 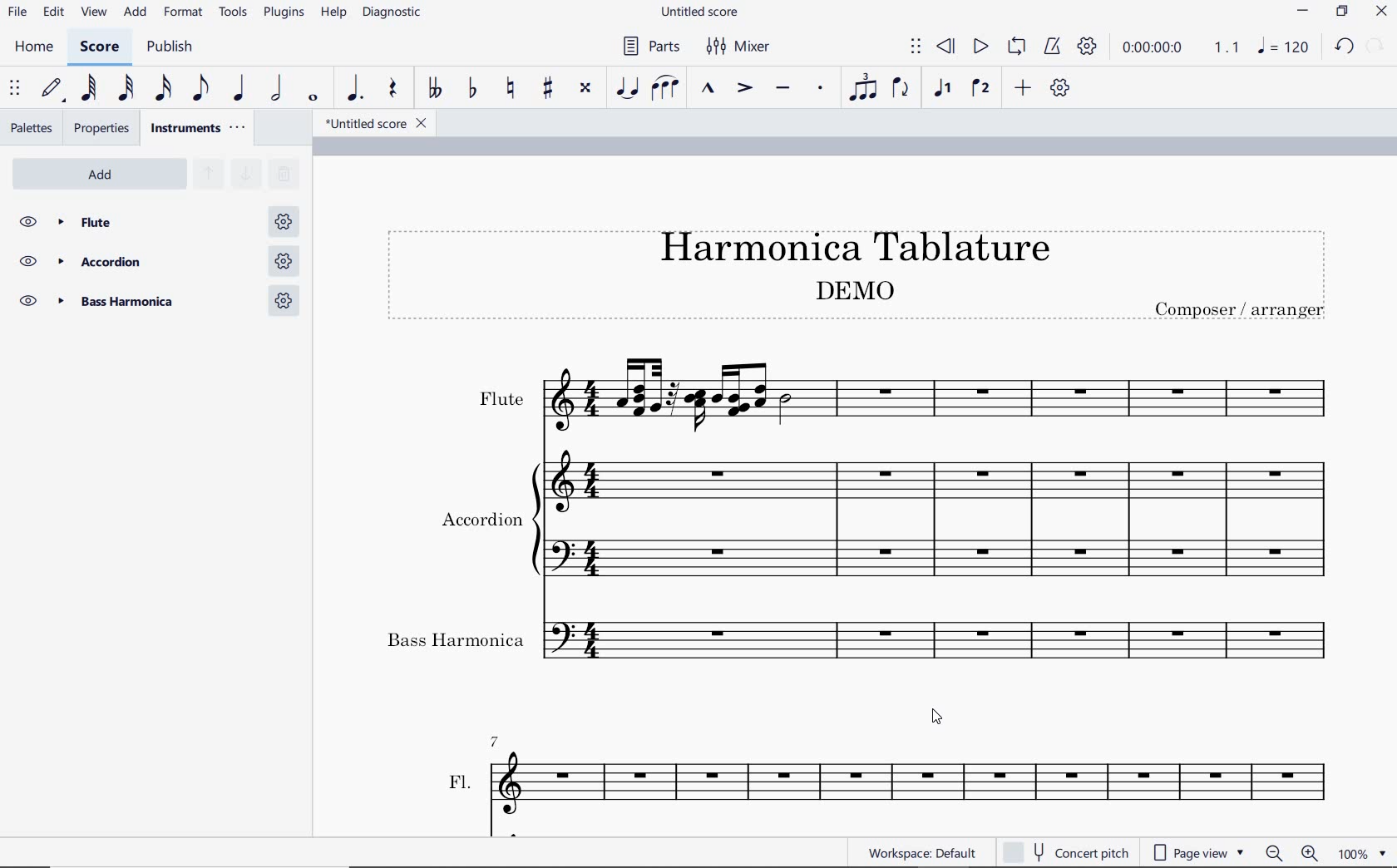 I want to click on Flute settings, so click(x=285, y=220).